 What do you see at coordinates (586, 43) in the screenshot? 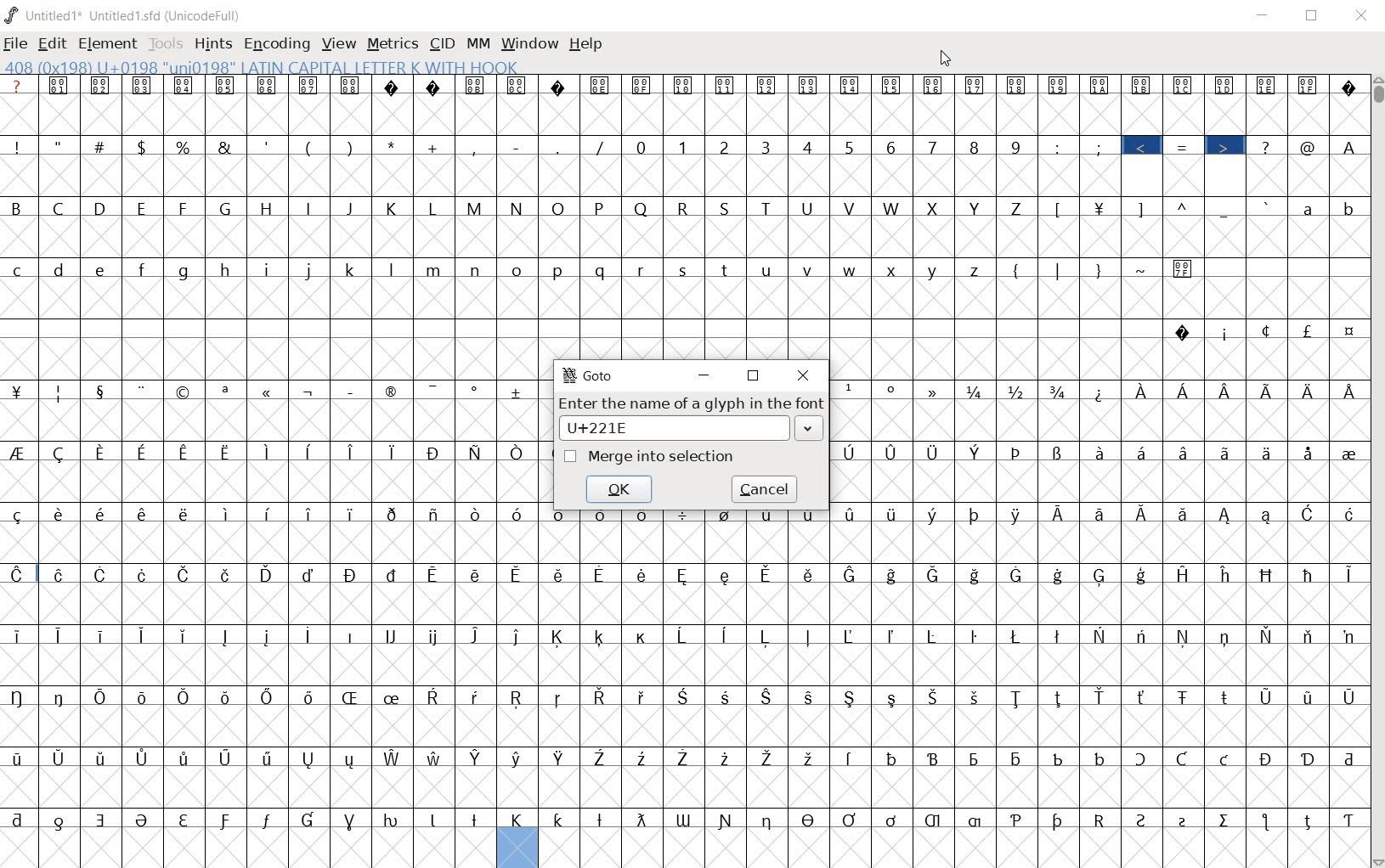
I see `help` at bounding box center [586, 43].